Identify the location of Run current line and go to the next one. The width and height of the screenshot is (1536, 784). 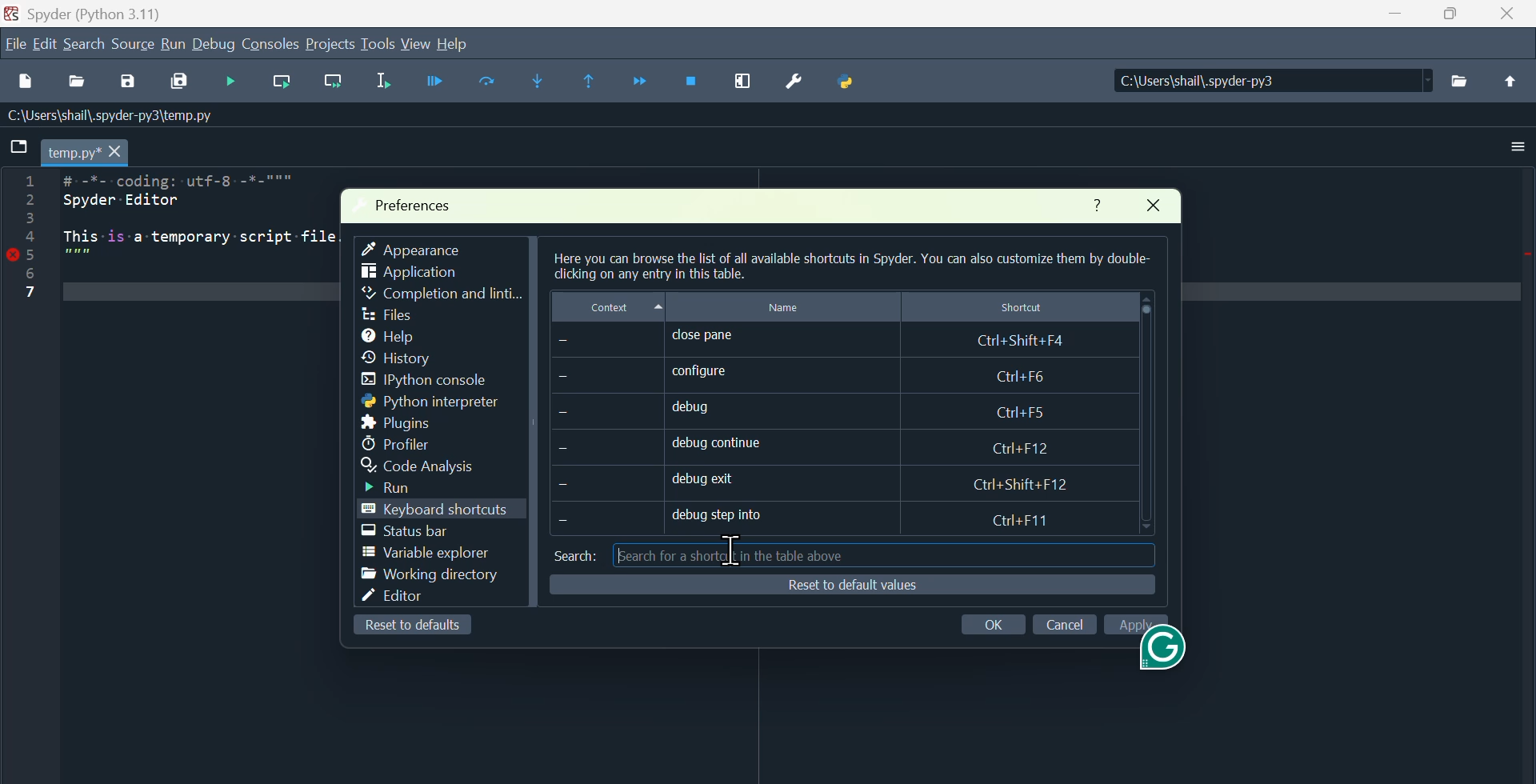
(333, 82).